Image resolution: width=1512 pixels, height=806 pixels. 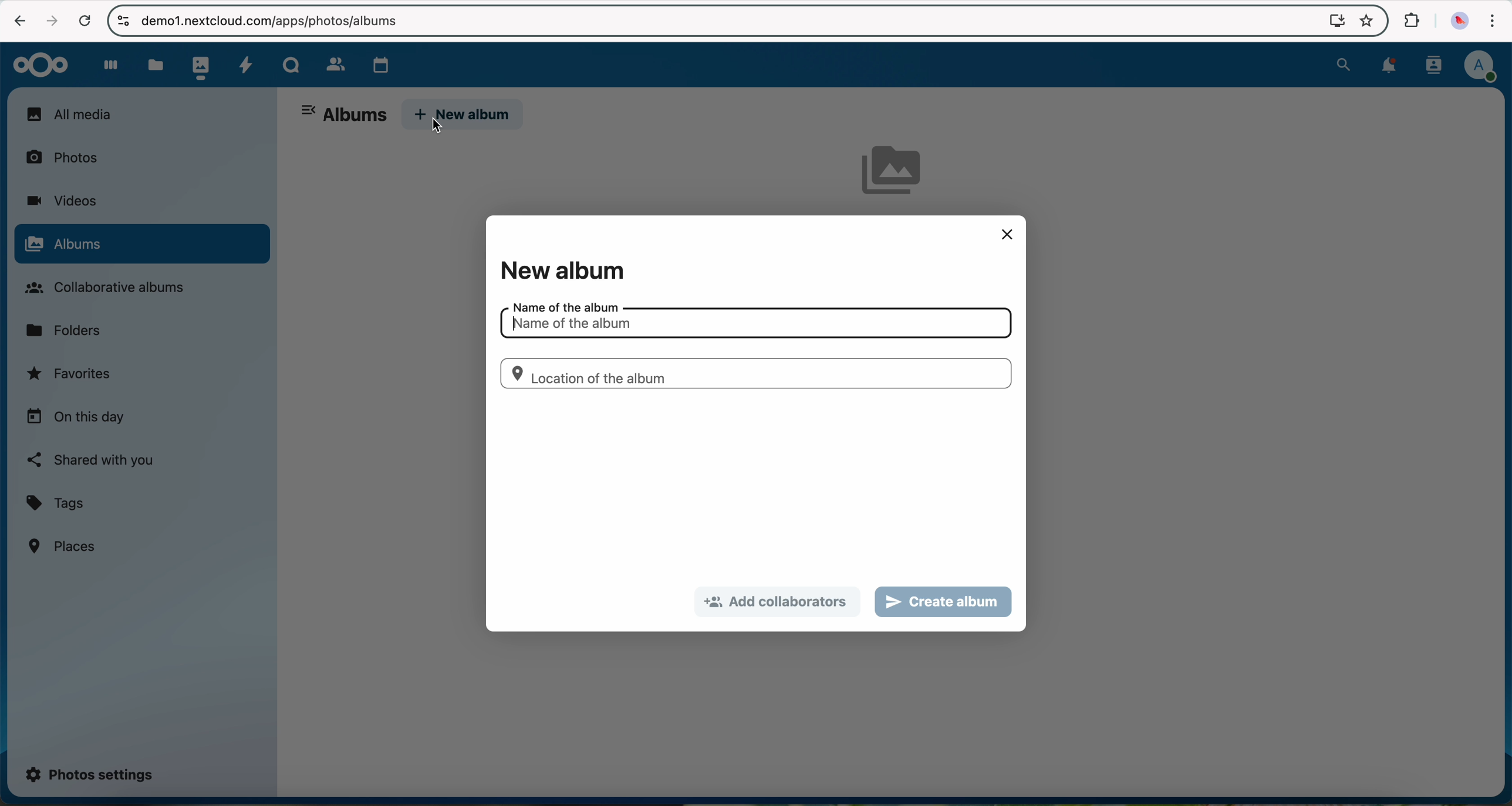 What do you see at coordinates (61, 201) in the screenshot?
I see `videos` at bounding box center [61, 201].